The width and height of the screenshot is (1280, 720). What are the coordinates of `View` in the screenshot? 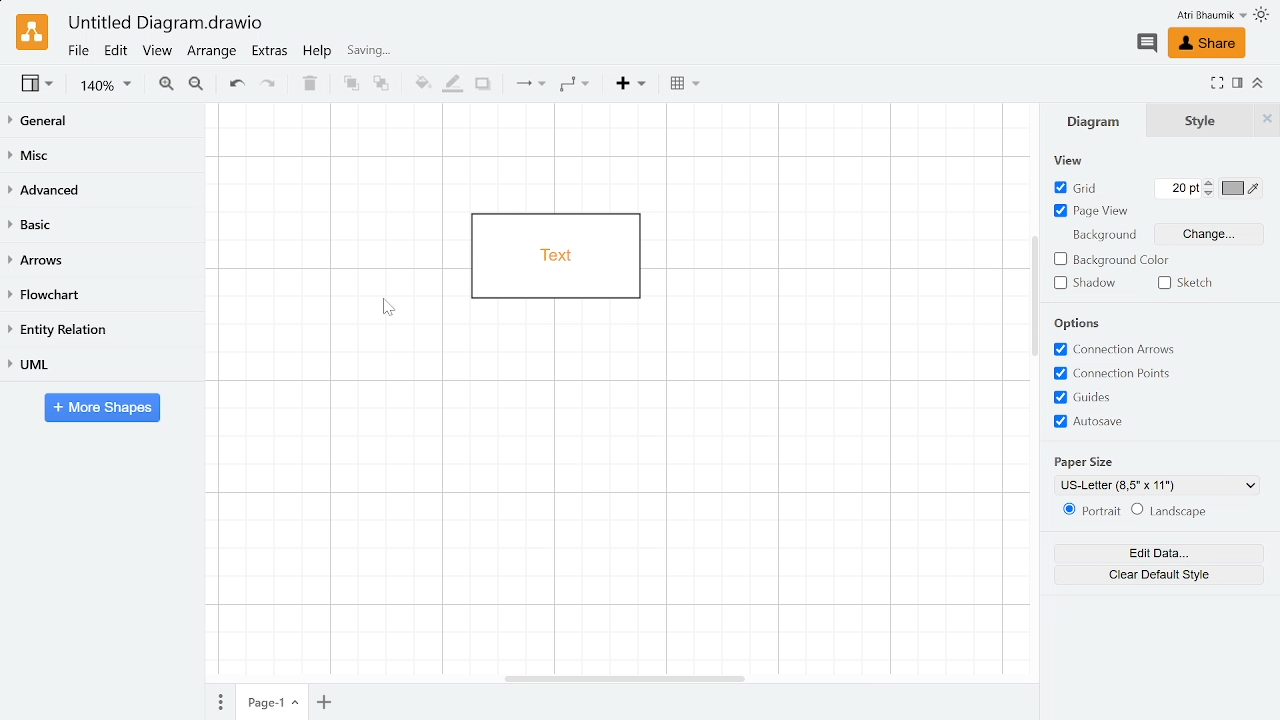 It's located at (38, 86).